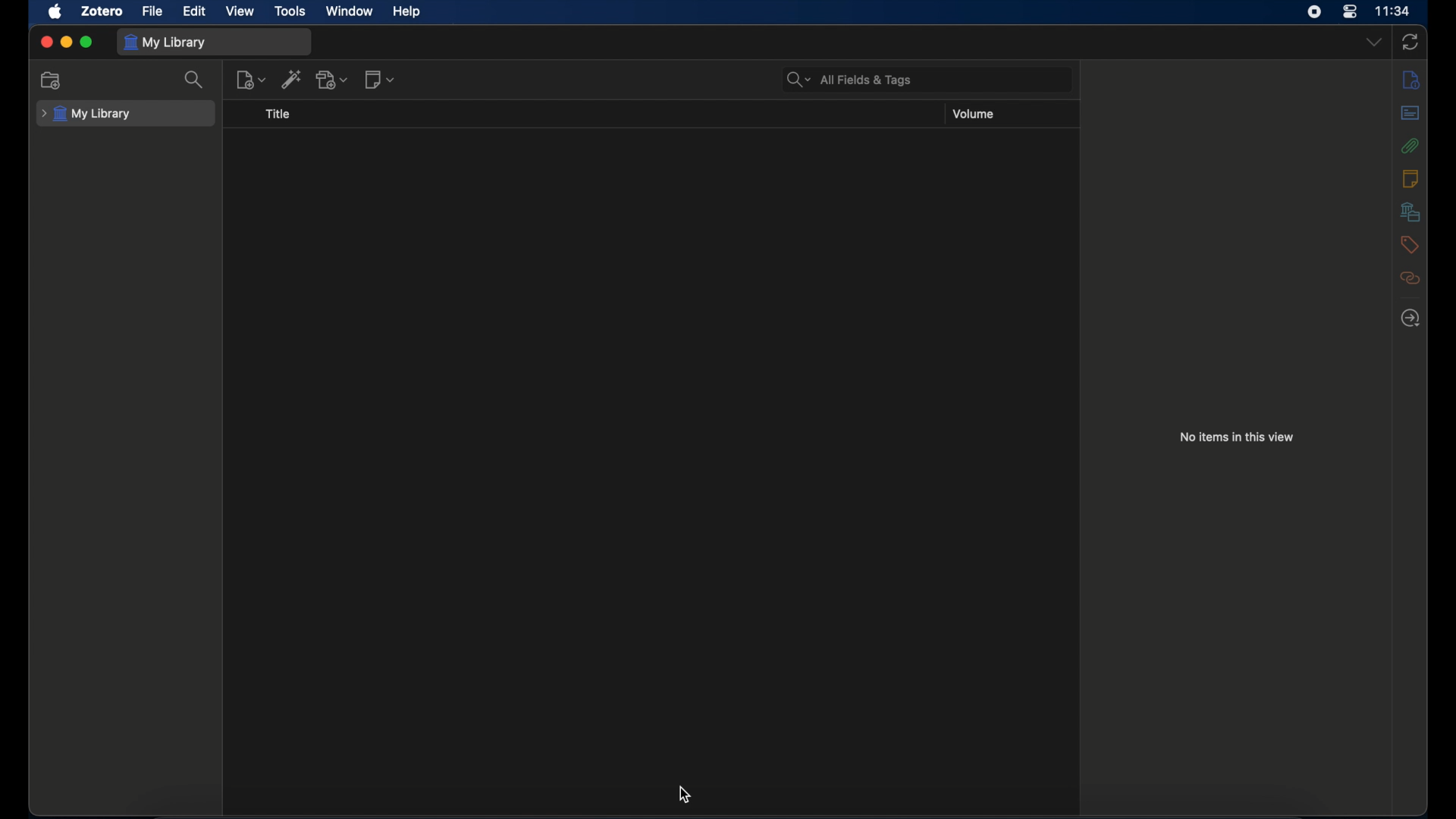 This screenshot has height=819, width=1456. I want to click on no items in this view, so click(1235, 436).